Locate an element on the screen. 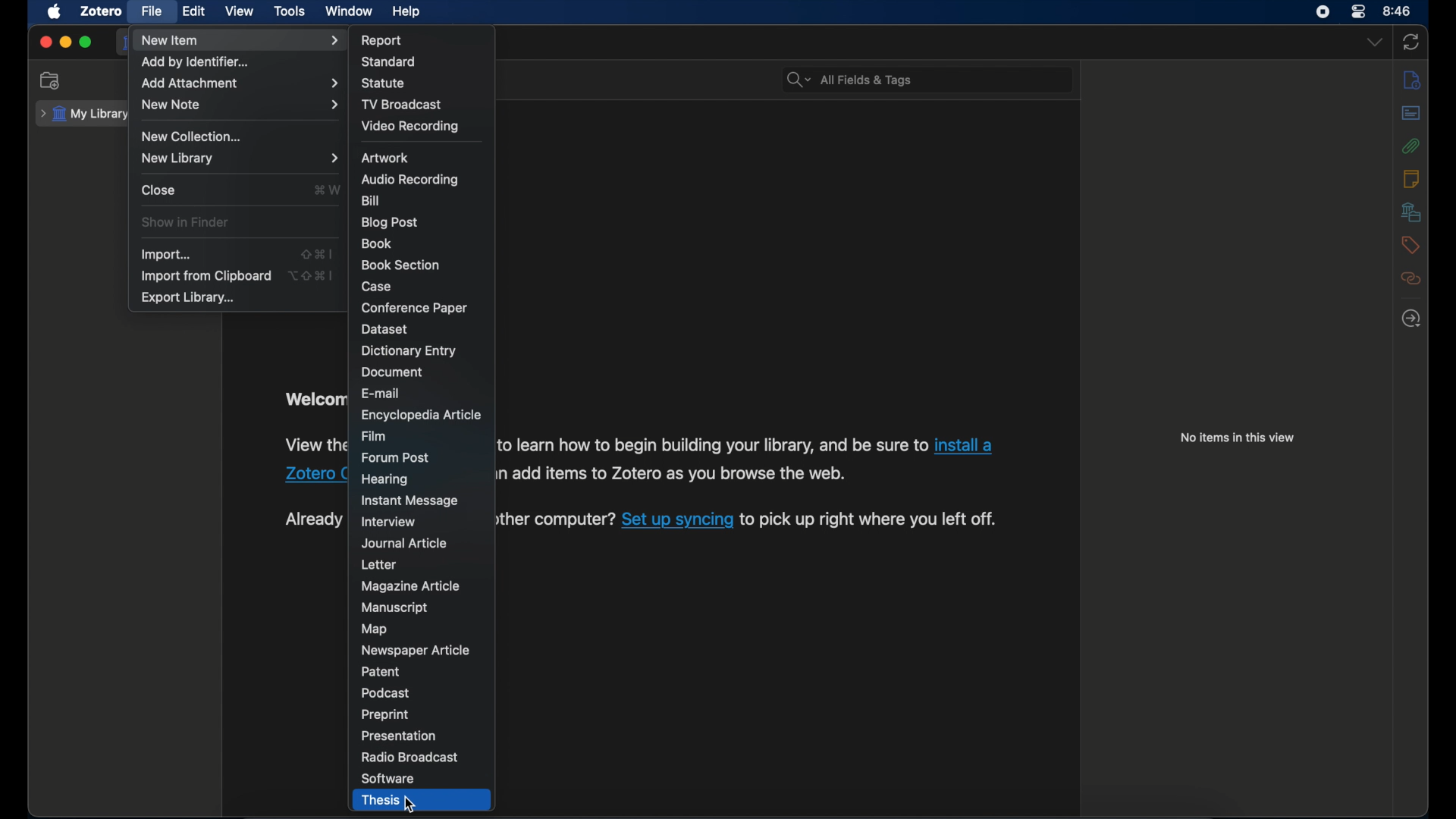  e-mail is located at coordinates (381, 393).